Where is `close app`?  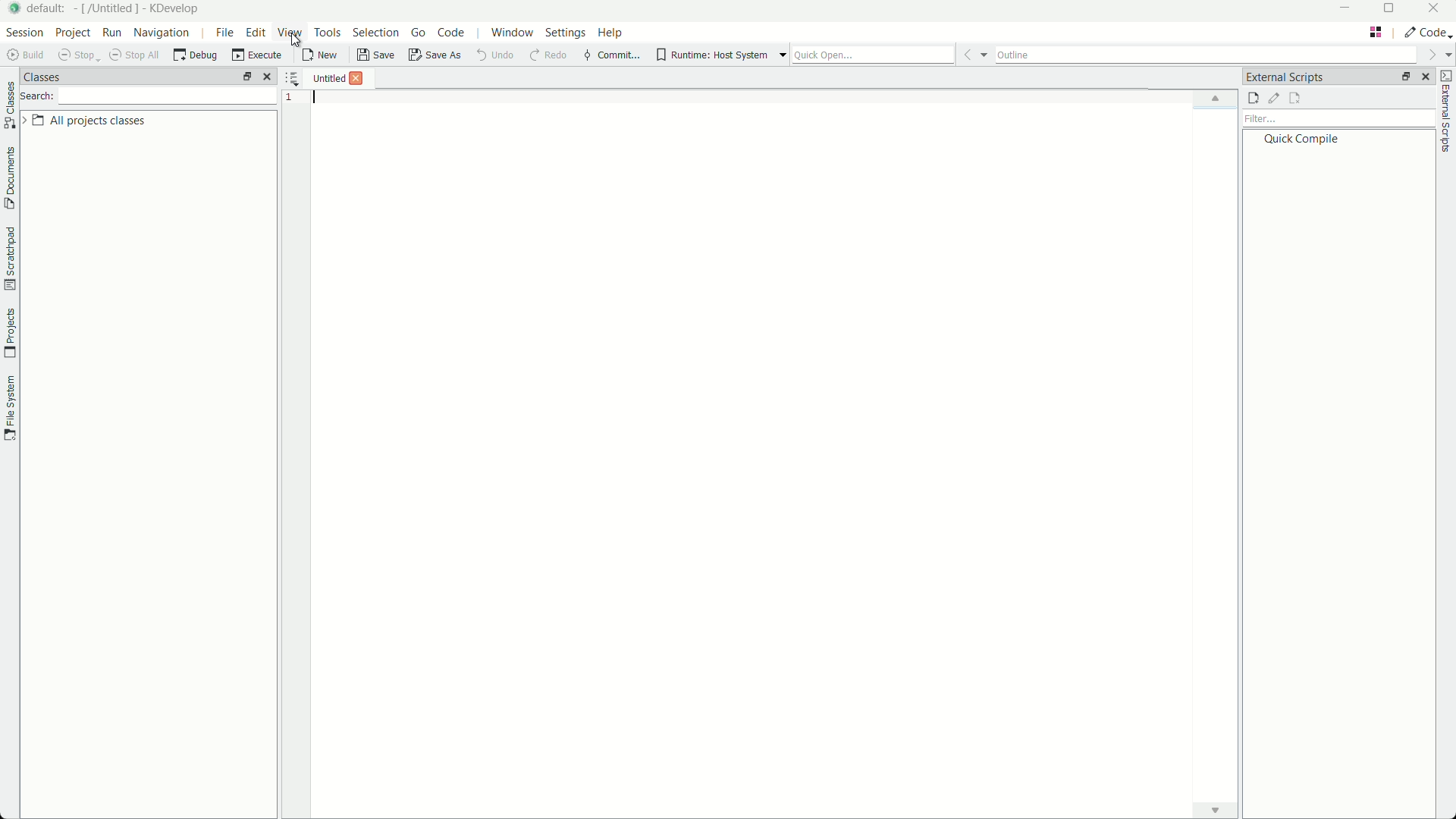 close app is located at coordinates (1434, 11).